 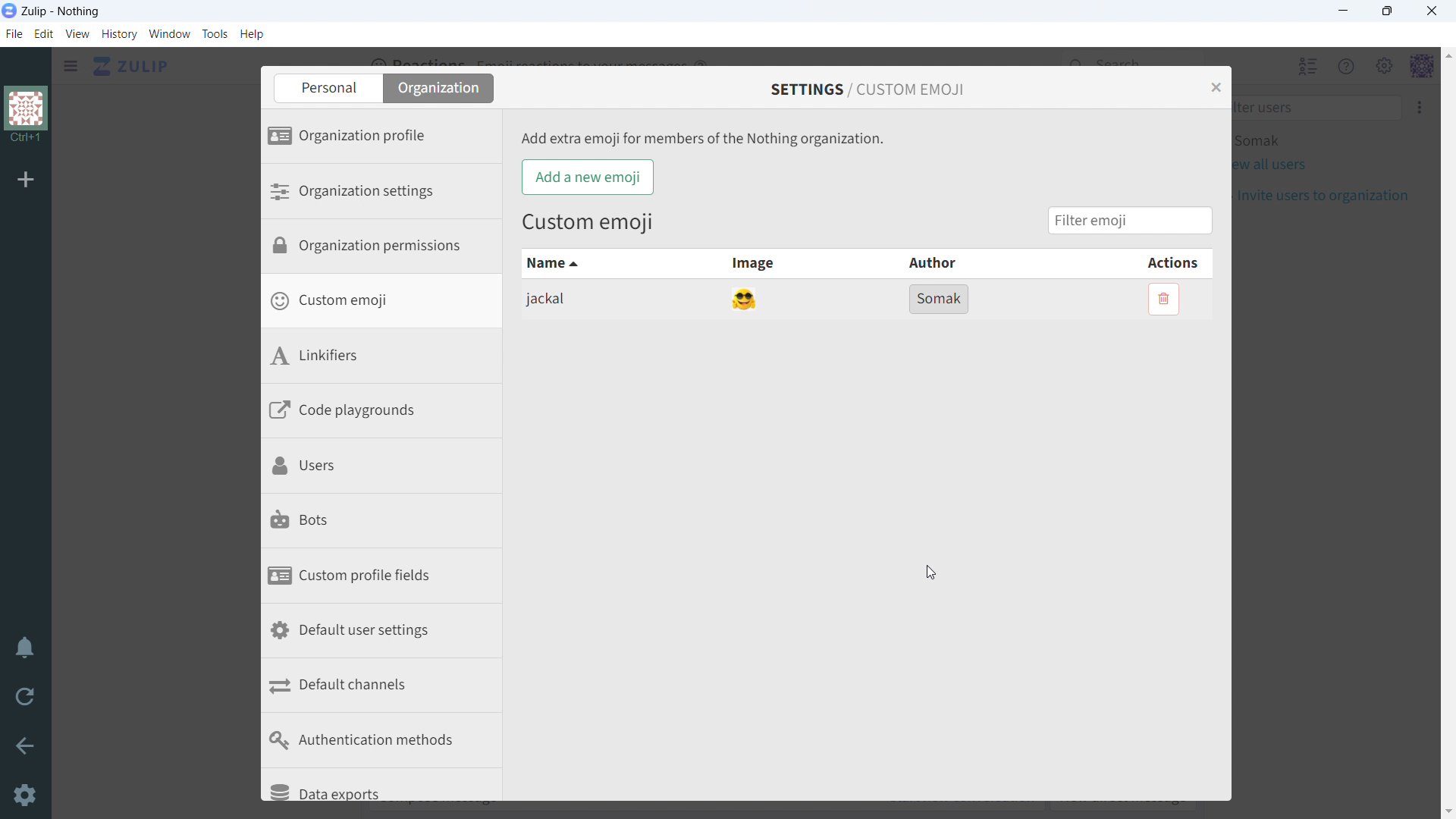 What do you see at coordinates (388, 785) in the screenshot?
I see `data exports` at bounding box center [388, 785].